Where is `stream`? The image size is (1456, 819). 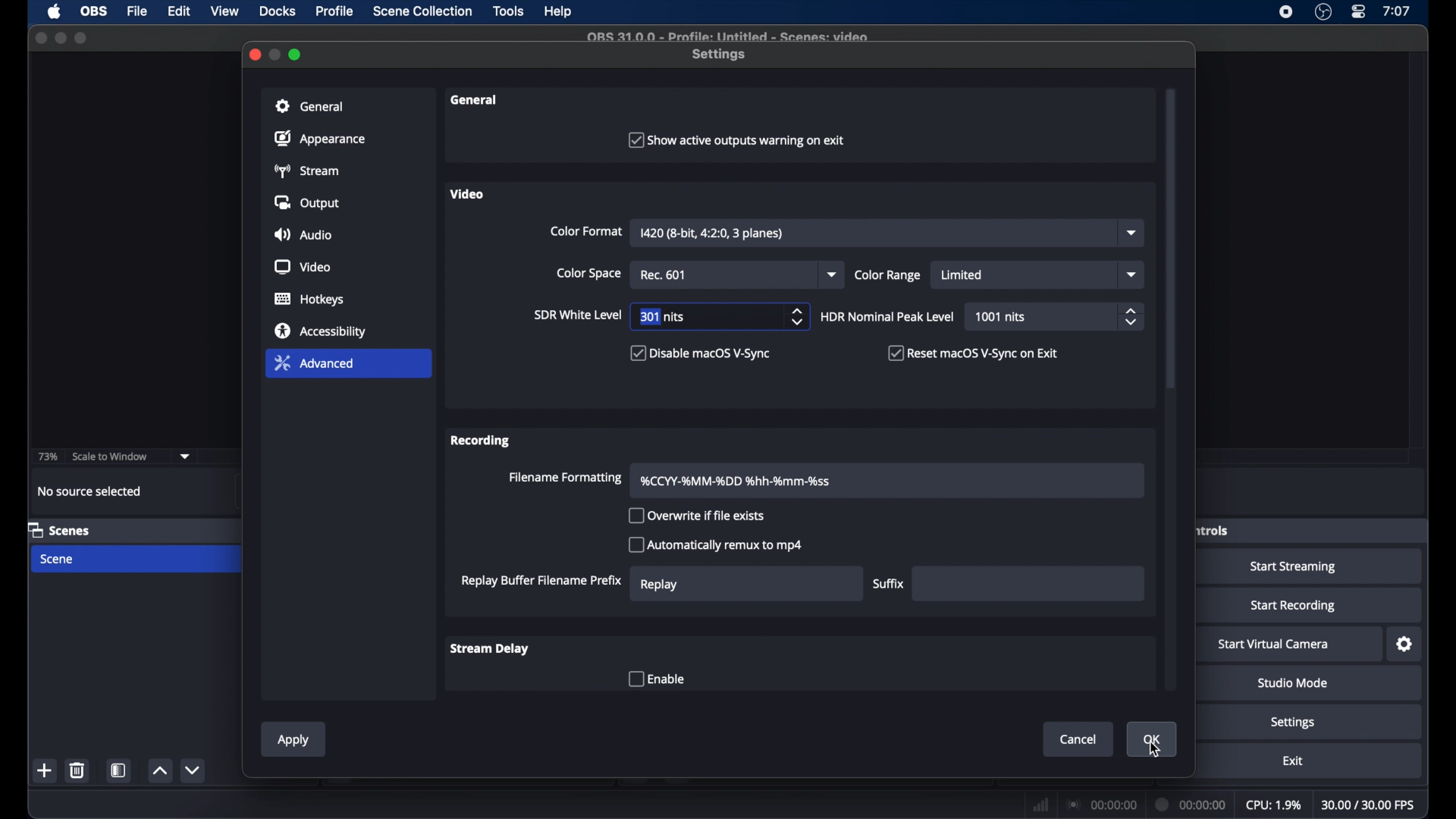
stream is located at coordinates (306, 171).